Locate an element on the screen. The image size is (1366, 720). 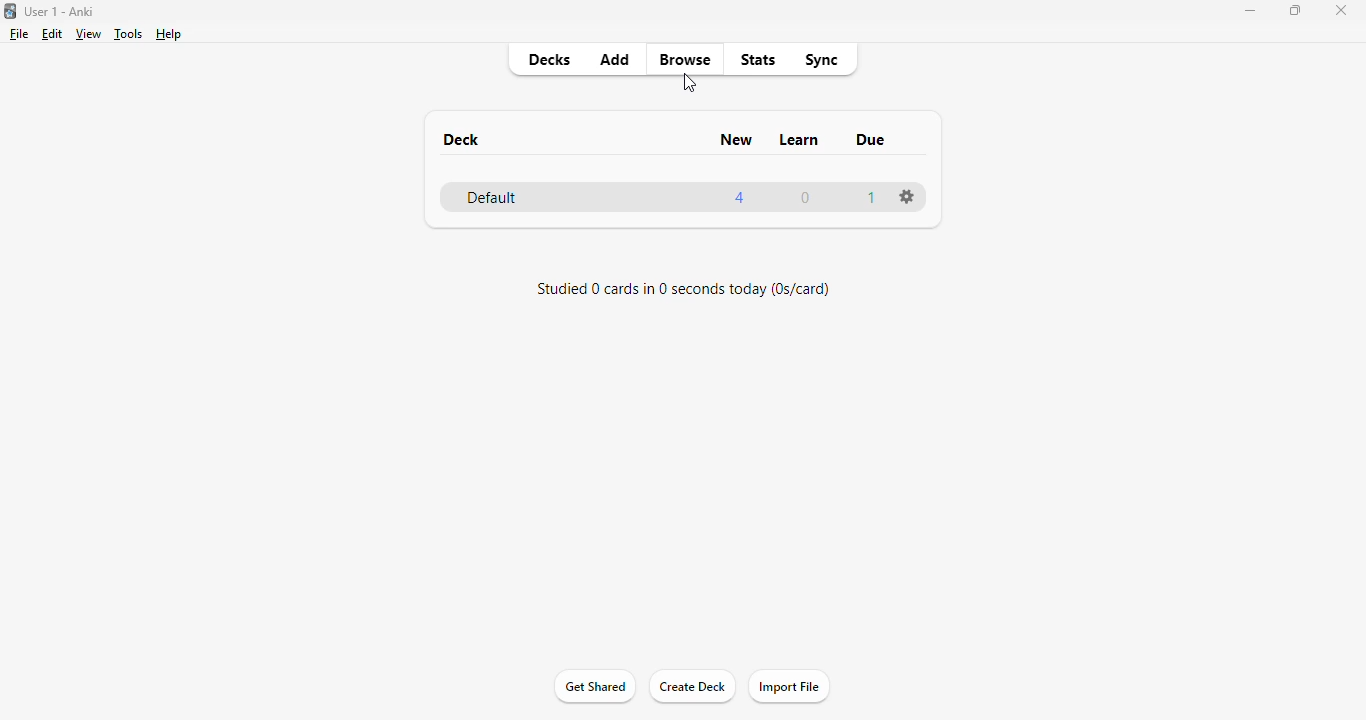
new is located at coordinates (738, 139).